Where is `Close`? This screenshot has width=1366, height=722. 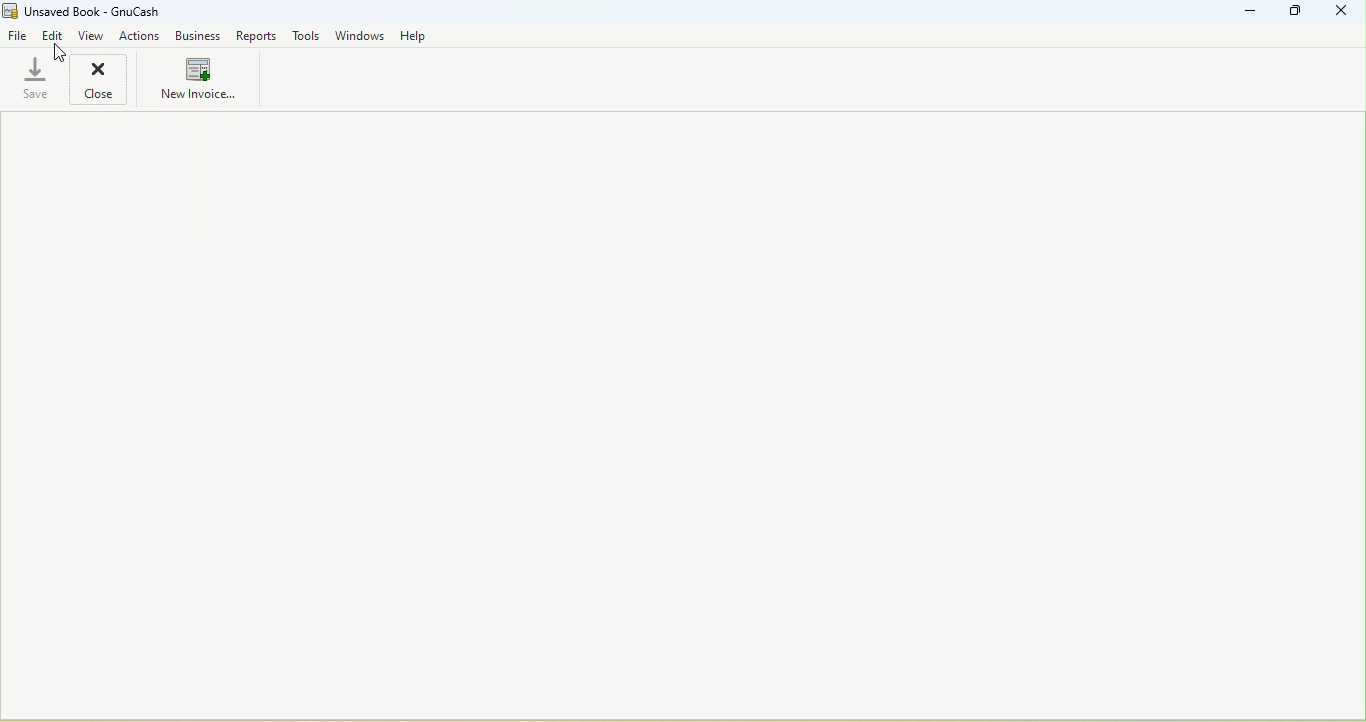 Close is located at coordinates (102, 80).